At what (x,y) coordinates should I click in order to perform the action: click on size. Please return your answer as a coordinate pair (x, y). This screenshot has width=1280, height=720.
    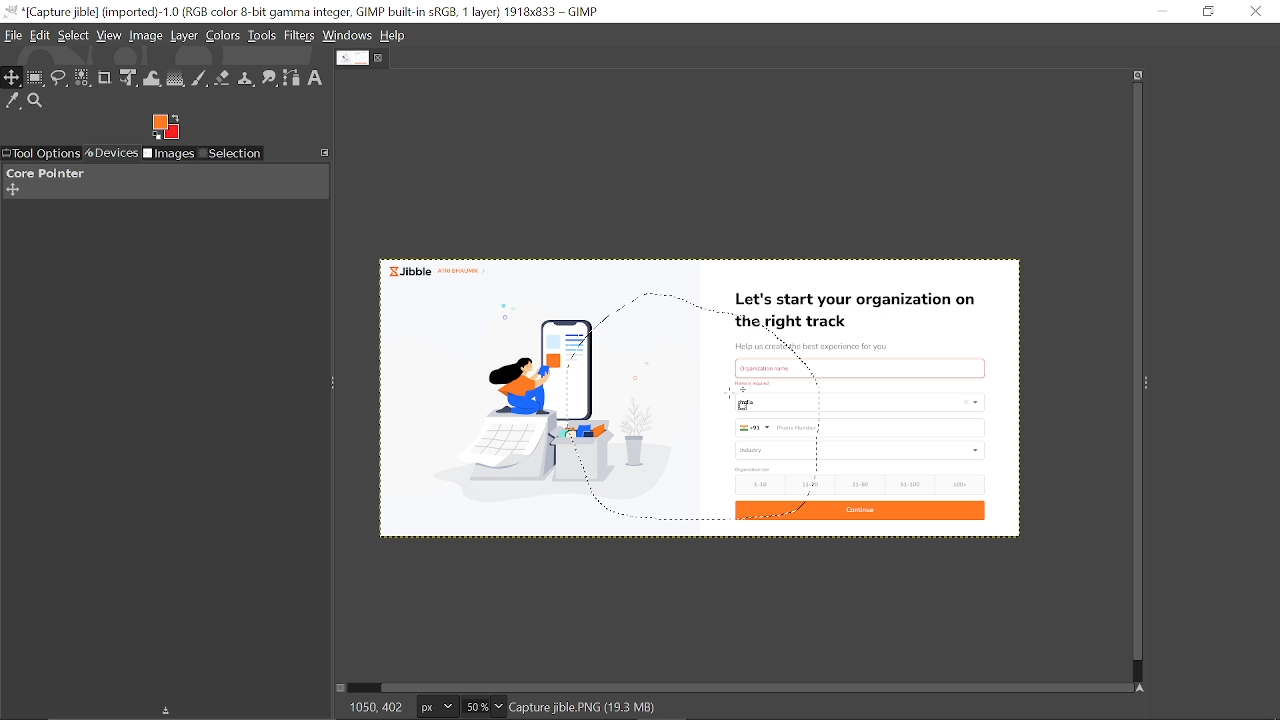
    Looking at the image, I should click on (754, 469).